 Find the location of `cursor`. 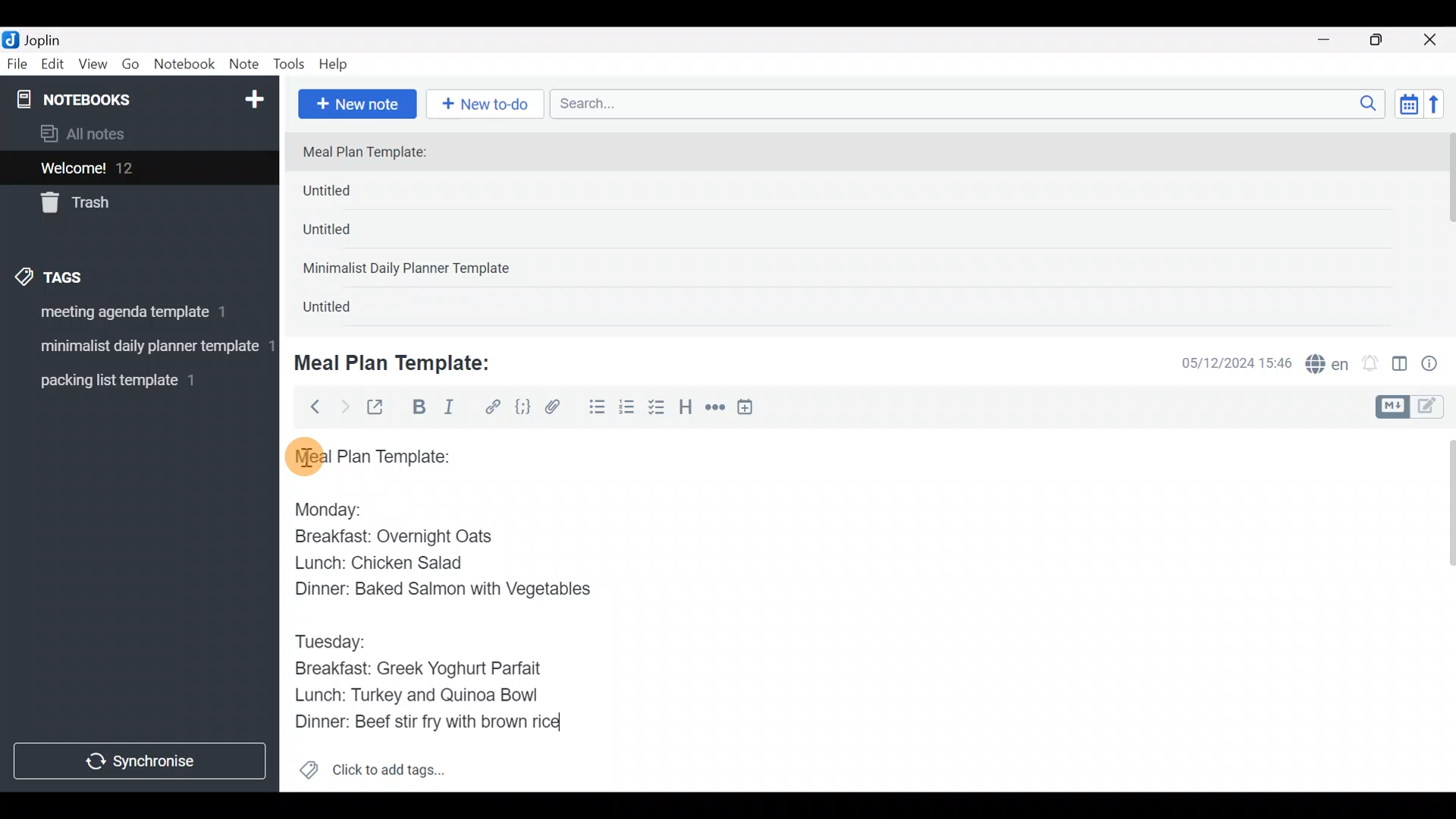

cursor is located at coordinates (303, 456).